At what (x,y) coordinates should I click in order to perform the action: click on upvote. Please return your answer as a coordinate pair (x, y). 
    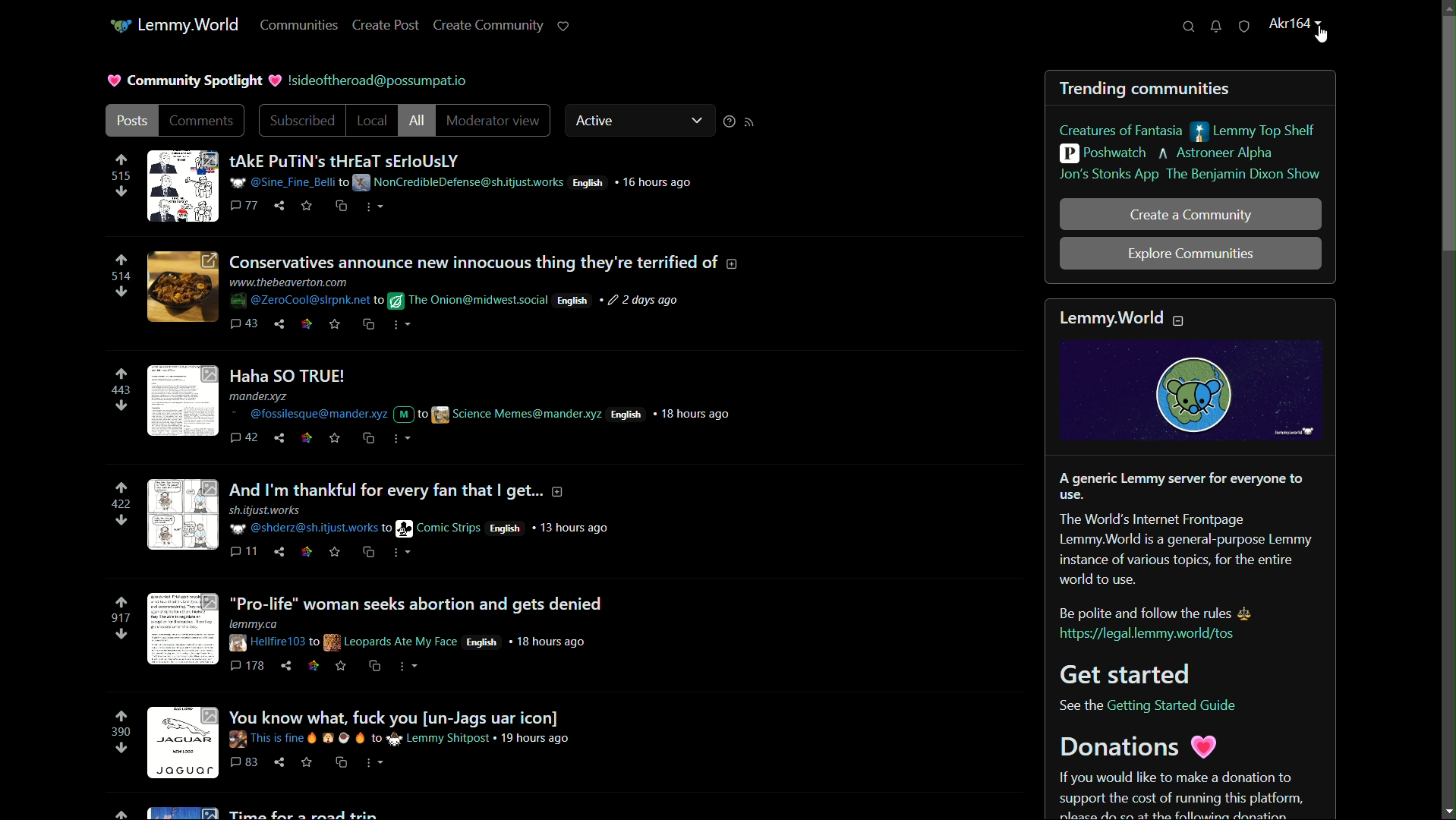
    Looking at the image, I should click on (121, 489).